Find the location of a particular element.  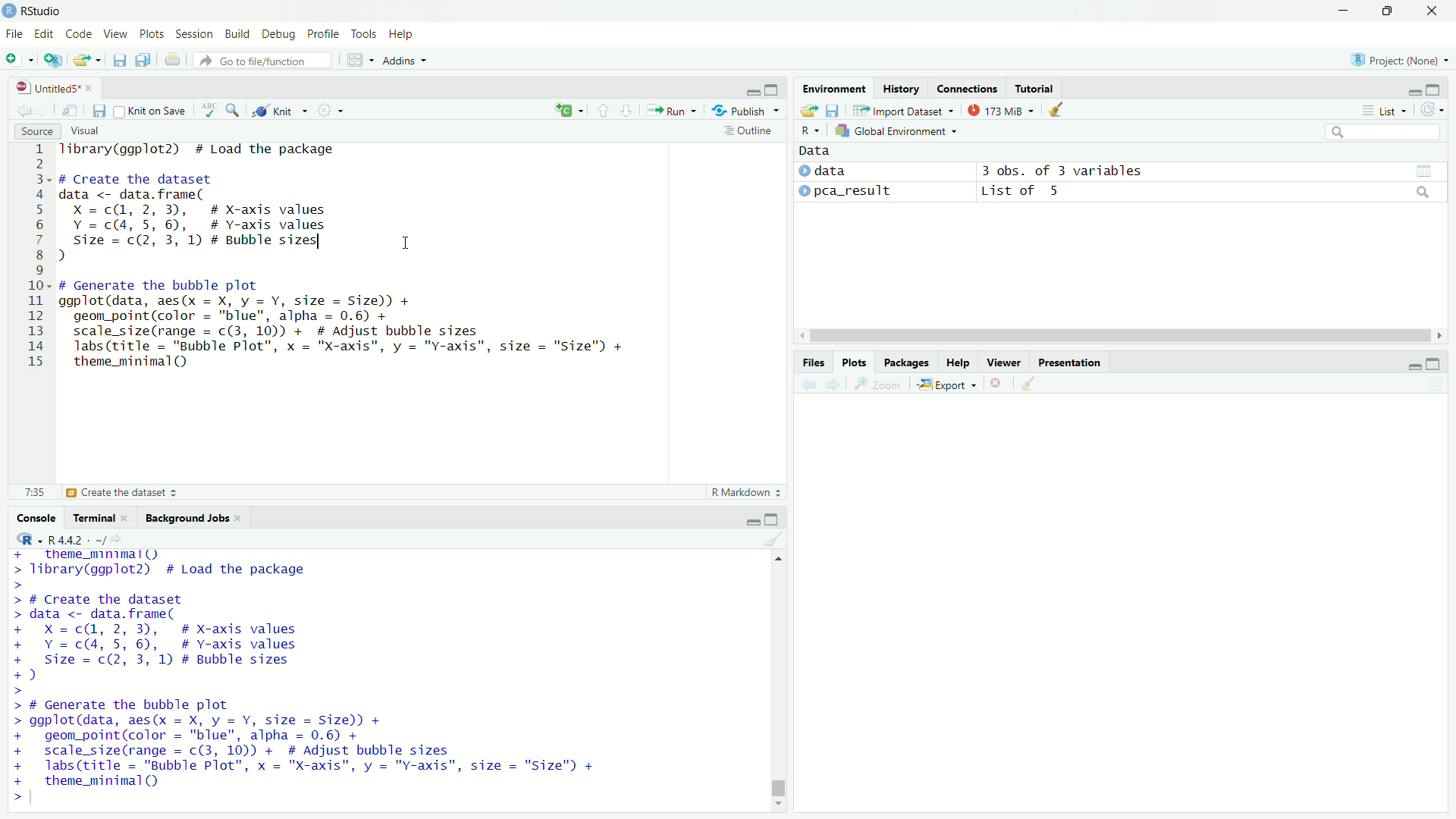

Tibrary(ggplot2) # Load the package

# Create the dataset

data <- data. frame(
X =c@, 2, 3), # X-axis values
Y =c(4,5, 6), # Y-axis values
Size = c(2, 3, 1) # Bubble sizes 1

)

# Generate the bubble plot

ggplot(data, aes(x = X, y = Y, size = Size)) +
geom_point(color = "blue", alpha = 0.6) +
scale_size(range = c(3, 10)) + # Adjust bubble sizes
labs (title = "Bubble Plot", x = "X-axis", y = "Y-axis", size = "Size") +
theme_minimal() is located at coordinates (367, 261).